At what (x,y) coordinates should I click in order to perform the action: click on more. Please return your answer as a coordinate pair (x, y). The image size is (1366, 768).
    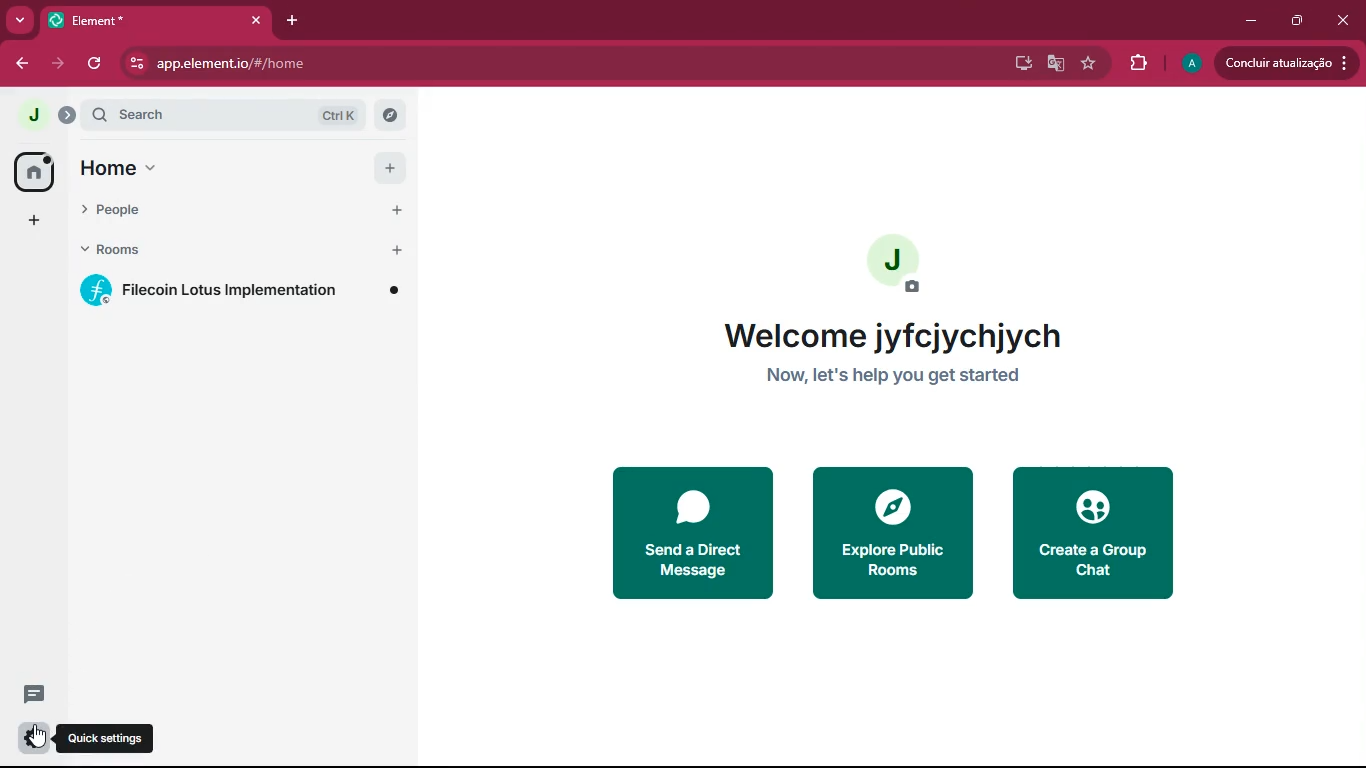
    Looking at the image, I should click on (22, 19).